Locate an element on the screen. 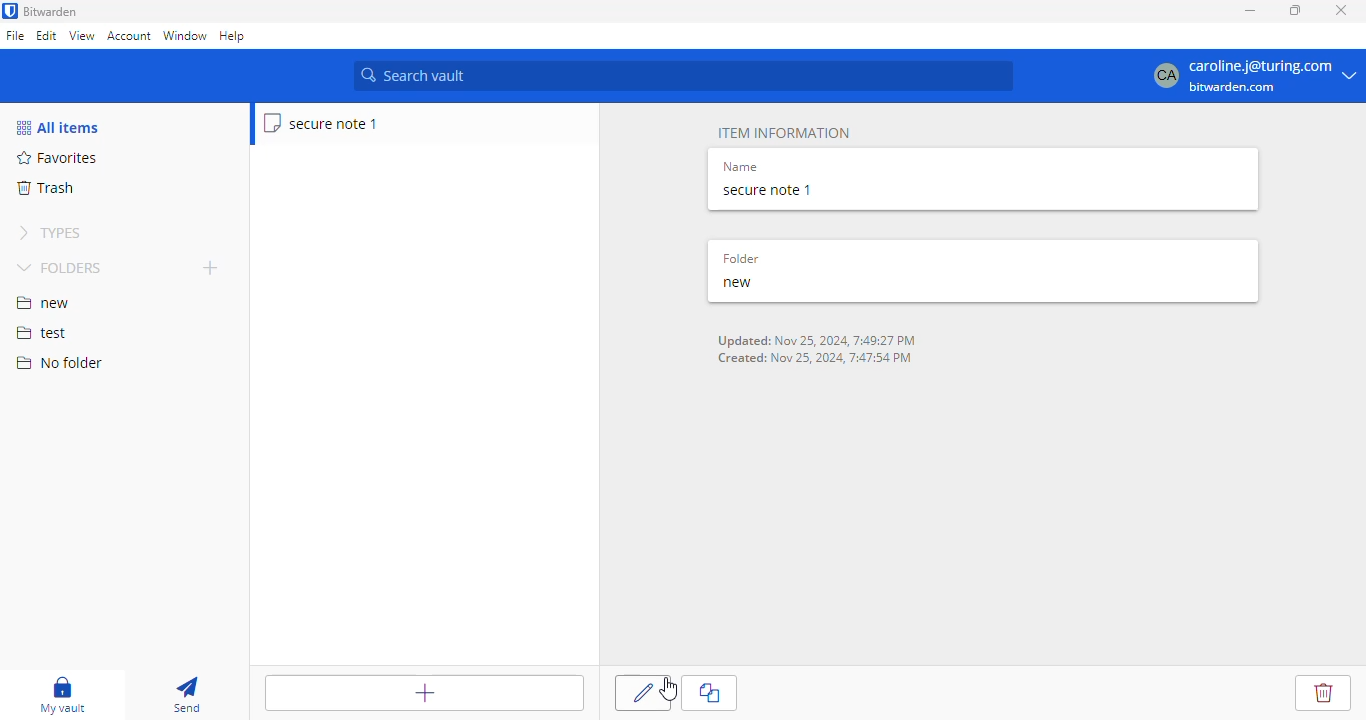 This screenshot has height=720, width=1366. close is located at coordinates (711, 693).